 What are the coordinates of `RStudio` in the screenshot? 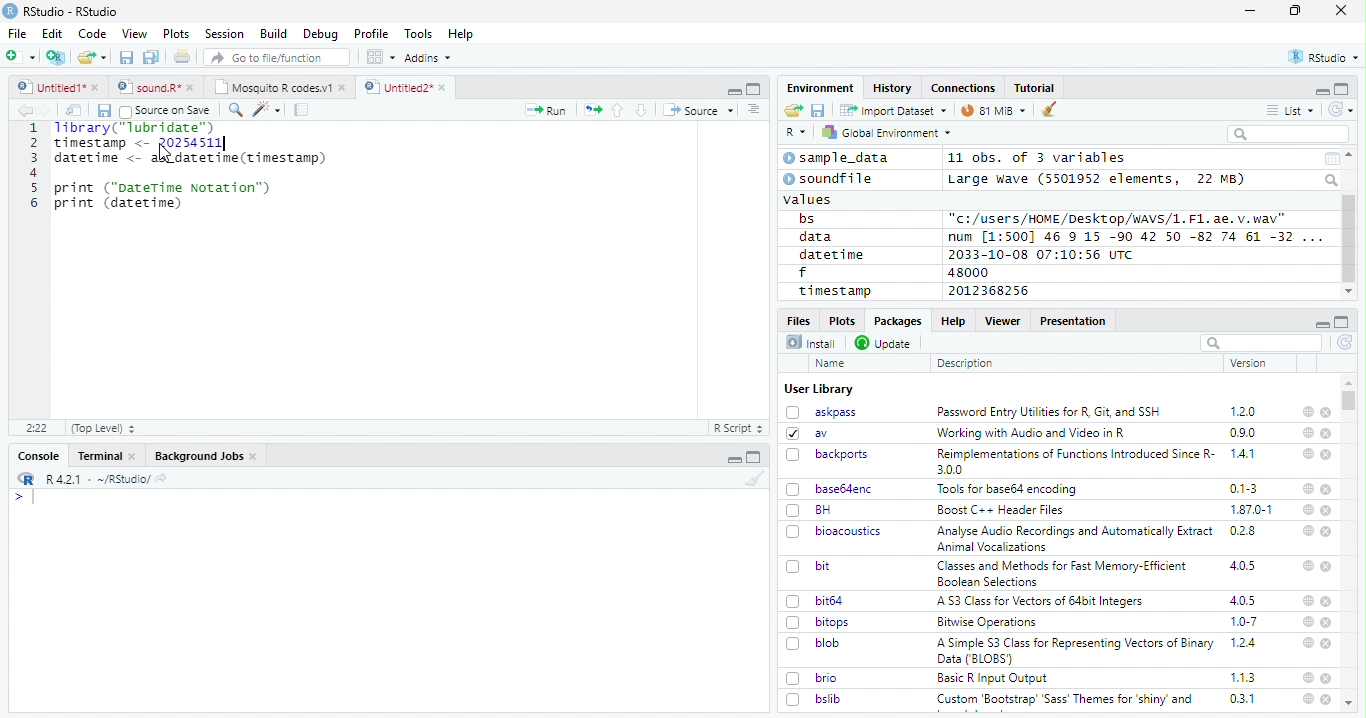 It's located at (1325, 58).